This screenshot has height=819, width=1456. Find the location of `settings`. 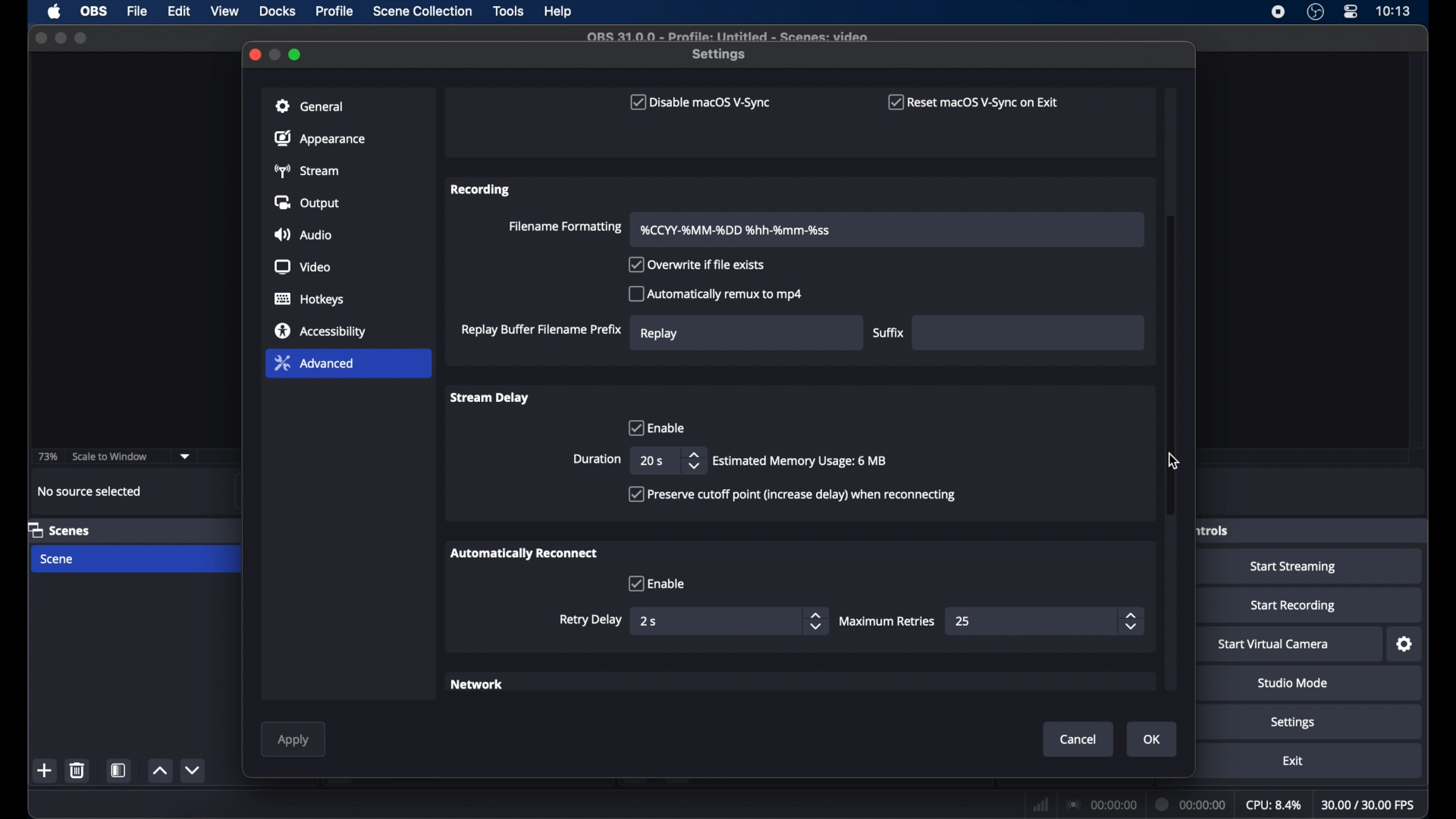

settings is located at coordinates (1406, 645).